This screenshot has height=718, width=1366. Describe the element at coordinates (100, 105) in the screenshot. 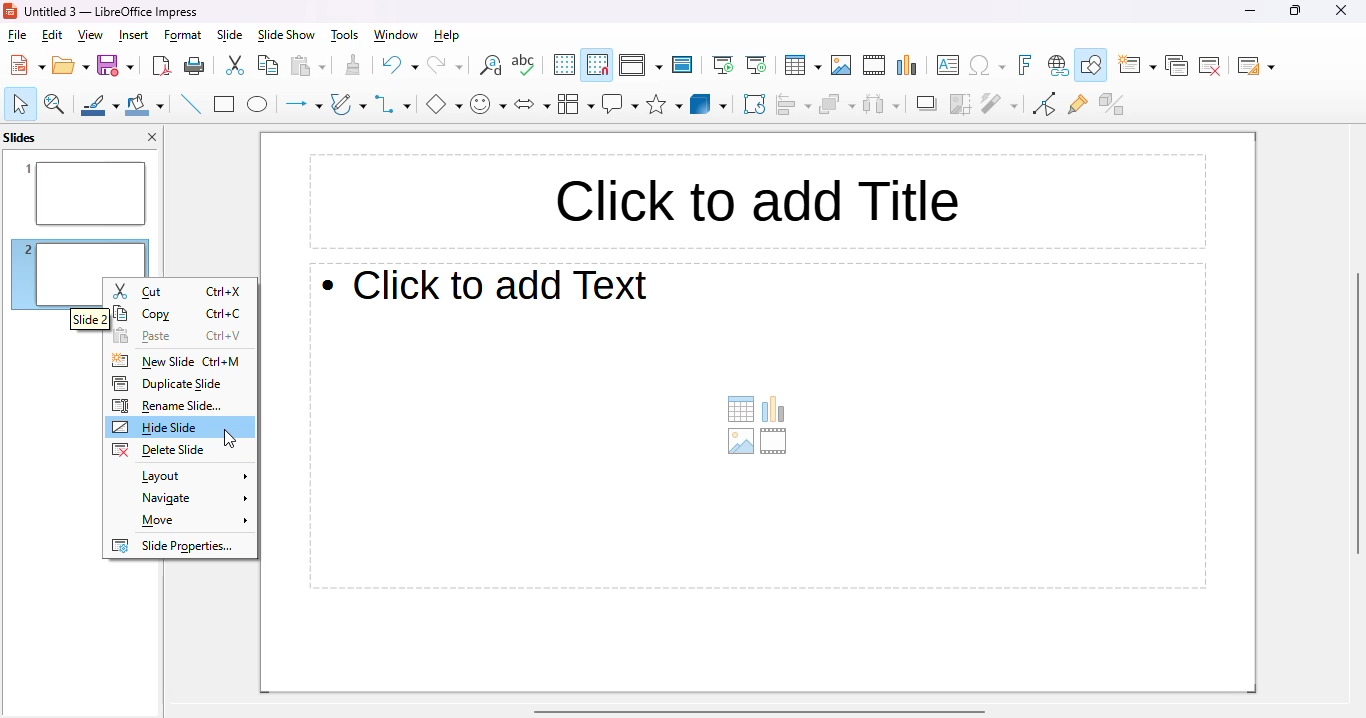

I see `line color` at that location.